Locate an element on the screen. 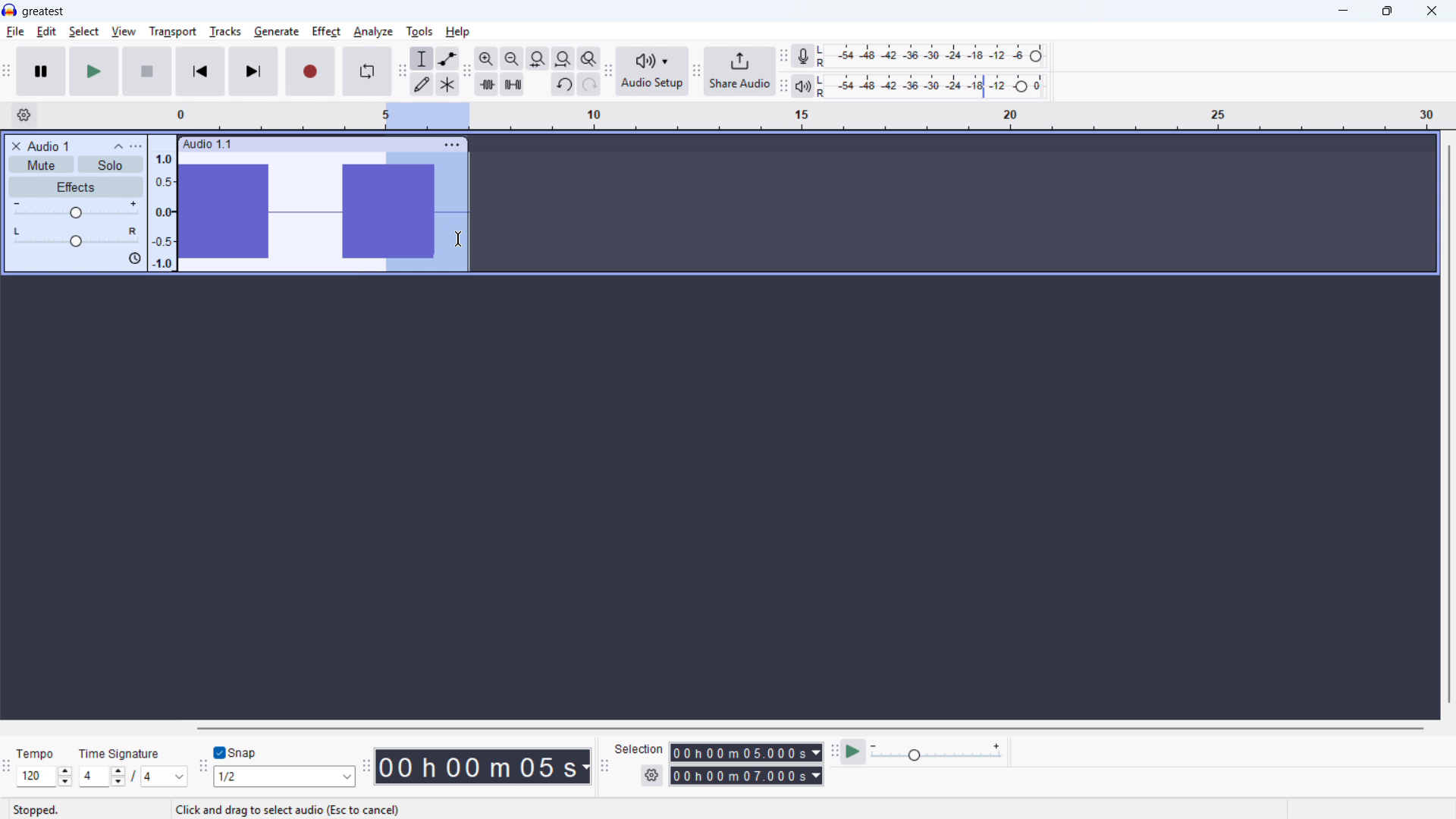 This screenshot has height=819, width=1456. Time toolbar  is located at coordinates (366, 766).